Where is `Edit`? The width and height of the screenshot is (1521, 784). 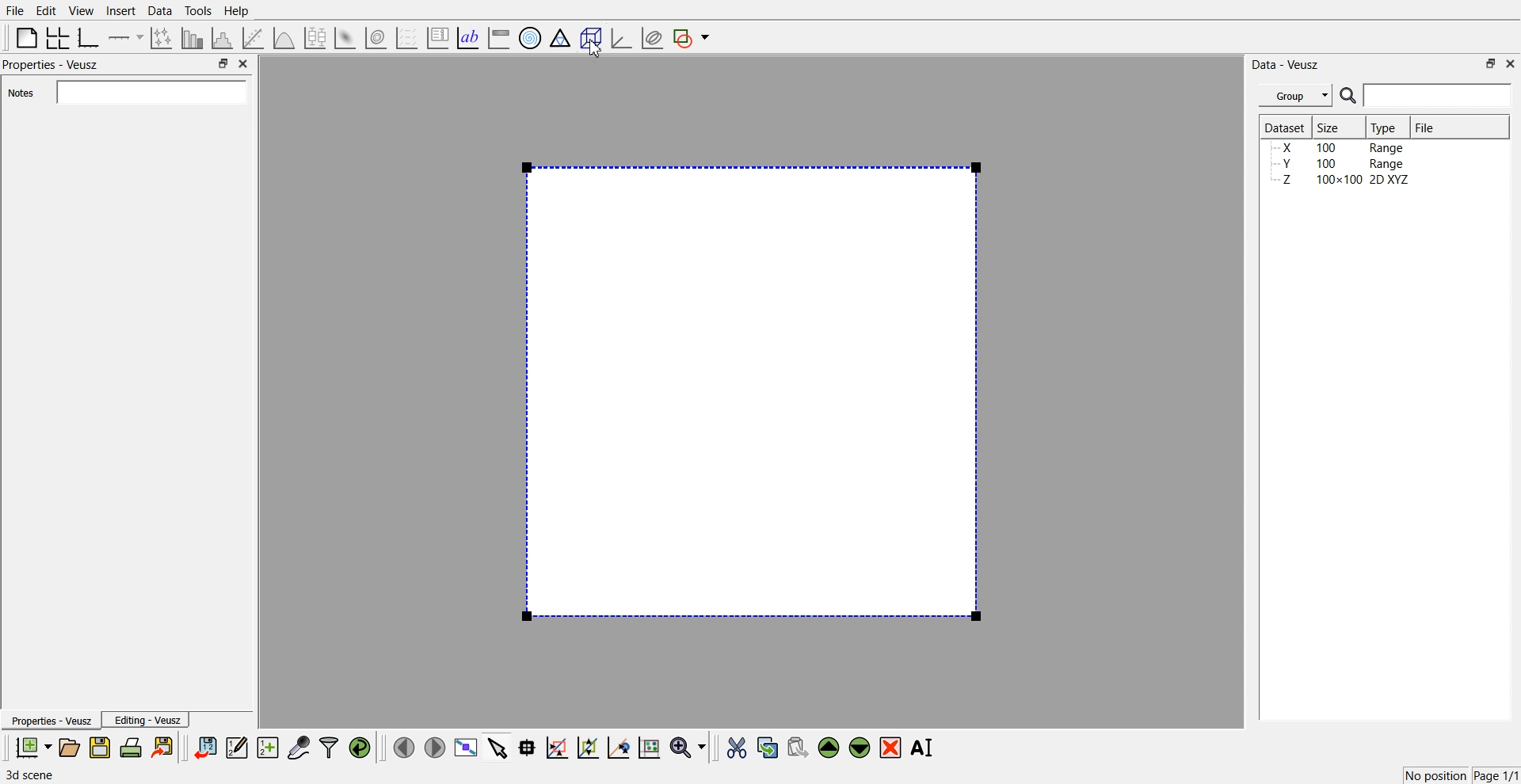
Edit is located at coordinates (45, 11).